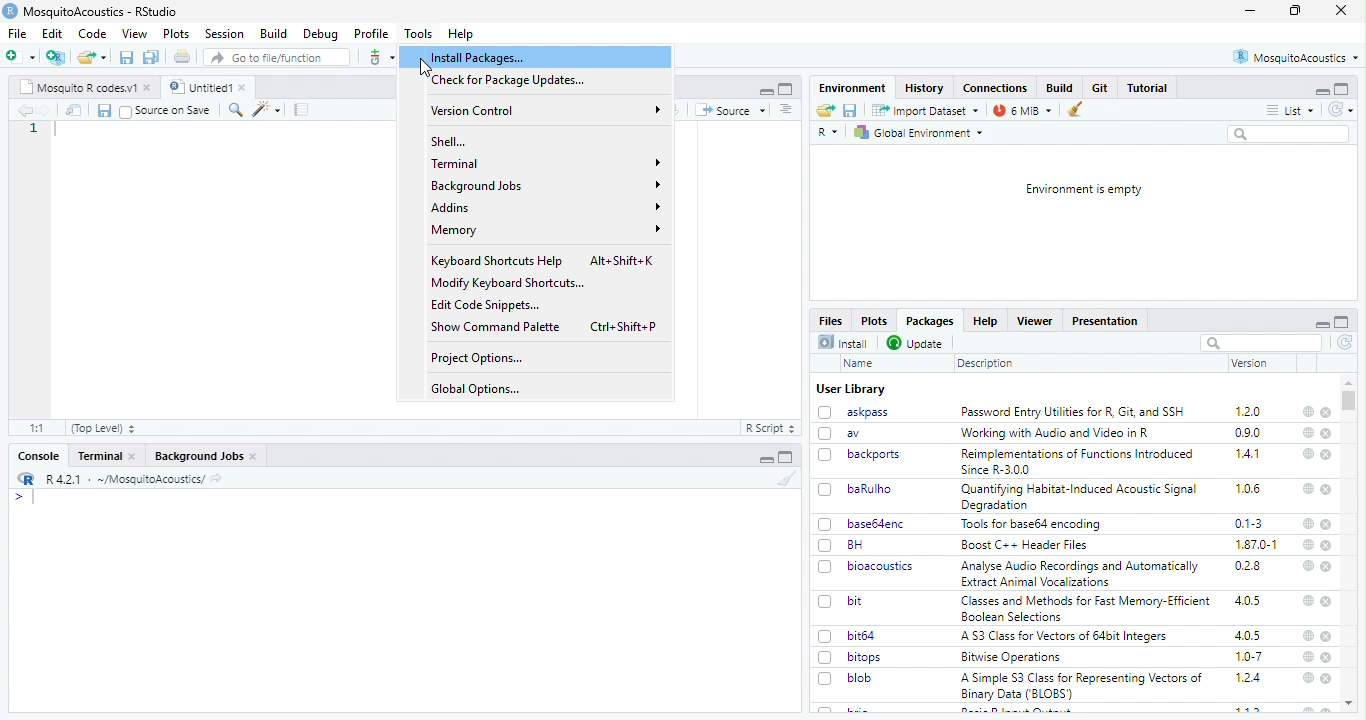 This screenshot has height=720, width=1366. I want to click on install, so click(845, 343).